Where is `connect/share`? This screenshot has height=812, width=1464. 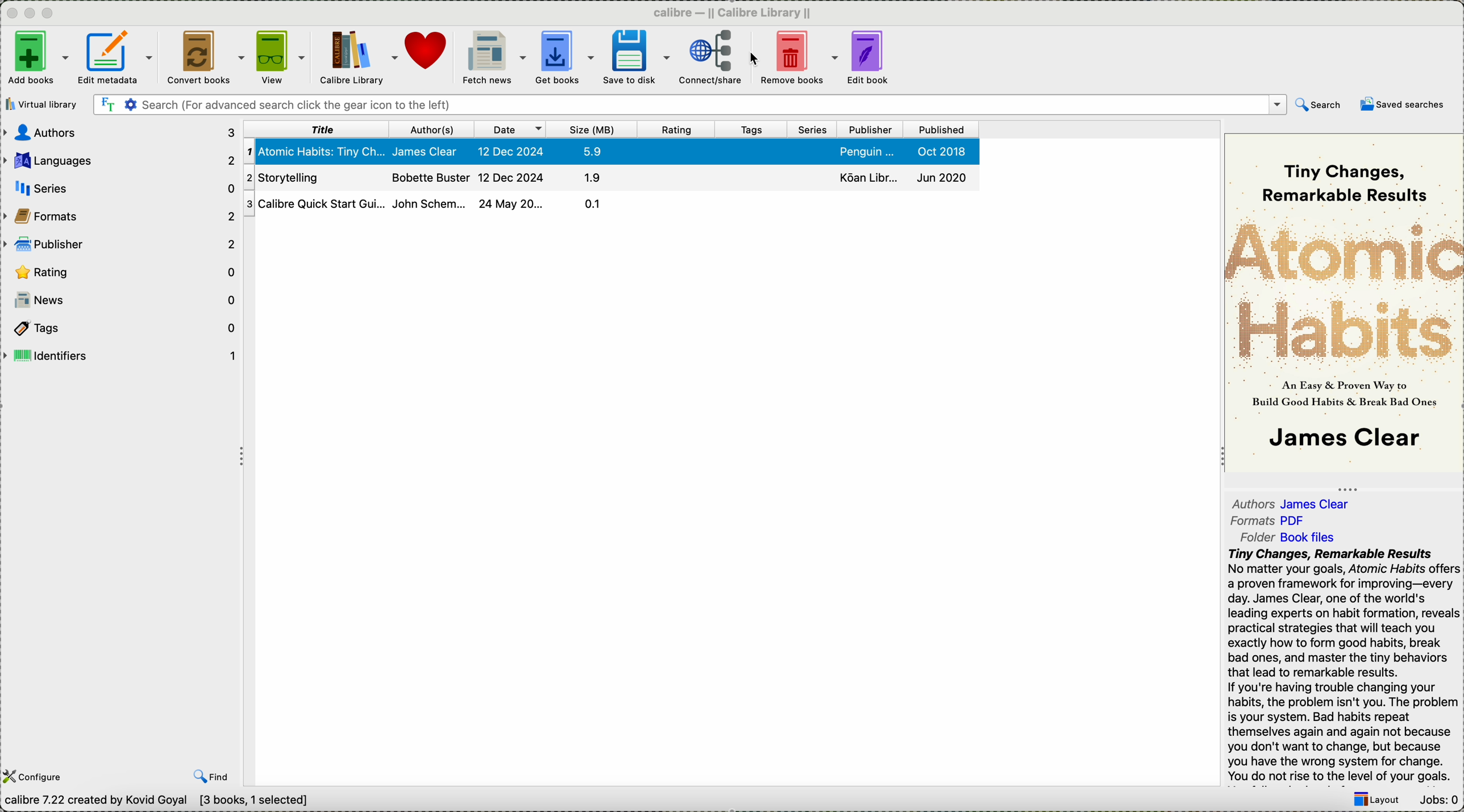 connect/share is located at coordinates (711, 60).